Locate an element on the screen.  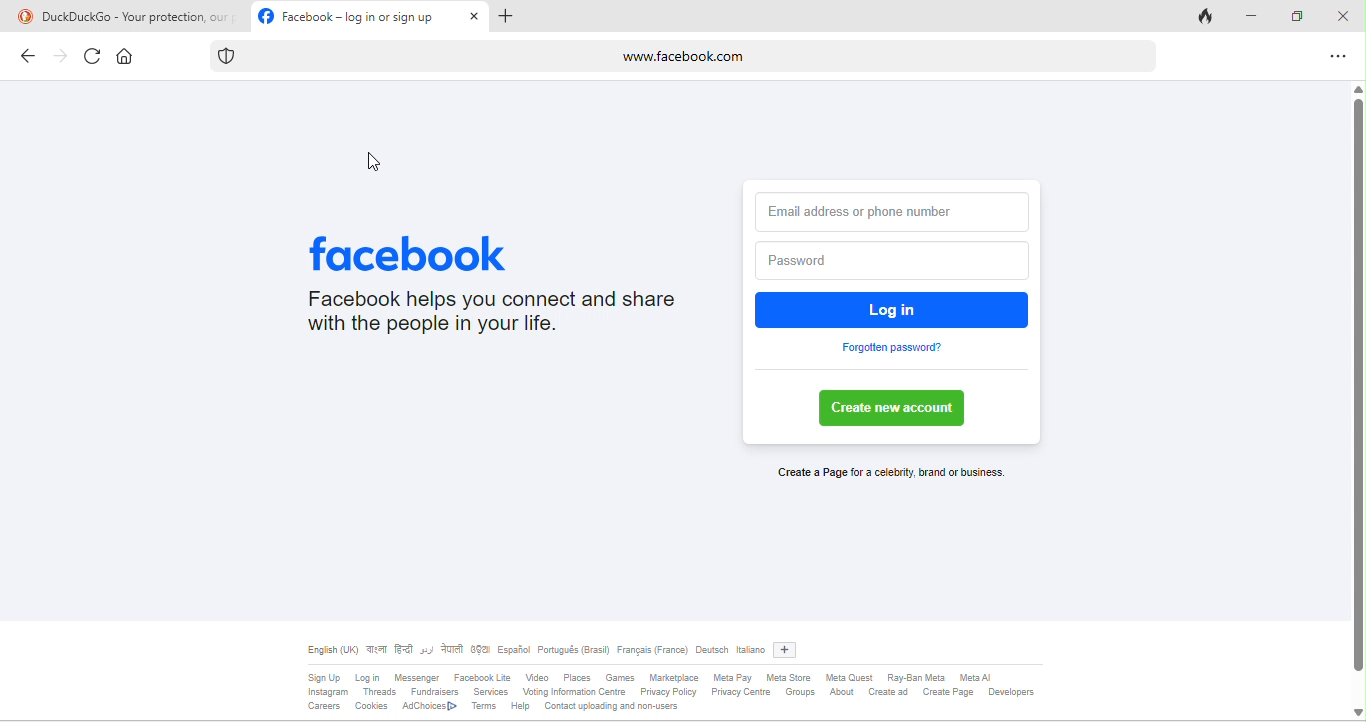
facebook logo is located at coordinates (263, 15).